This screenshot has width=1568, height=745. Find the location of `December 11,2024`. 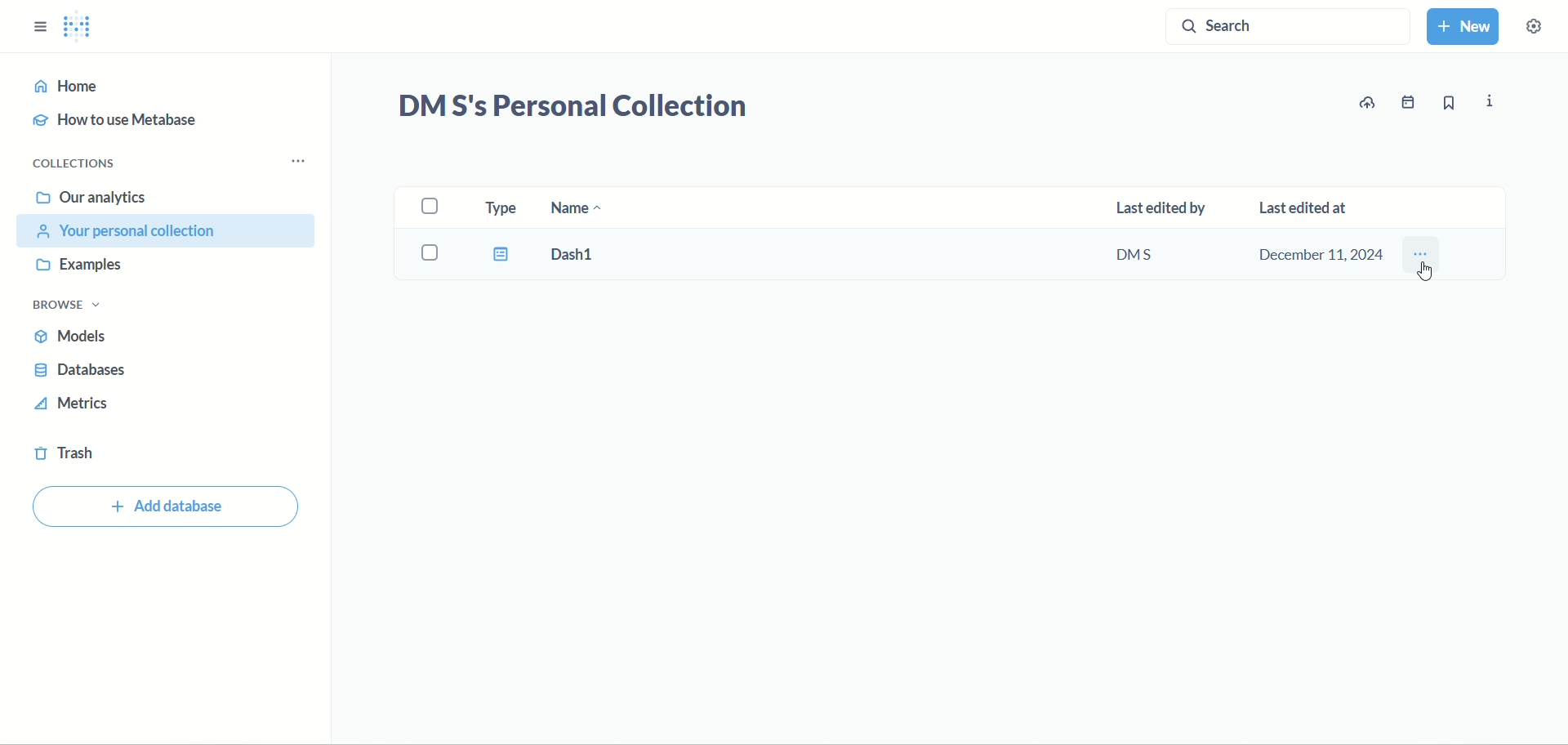

December 11,2024 is located at coordinates (1319, 253).